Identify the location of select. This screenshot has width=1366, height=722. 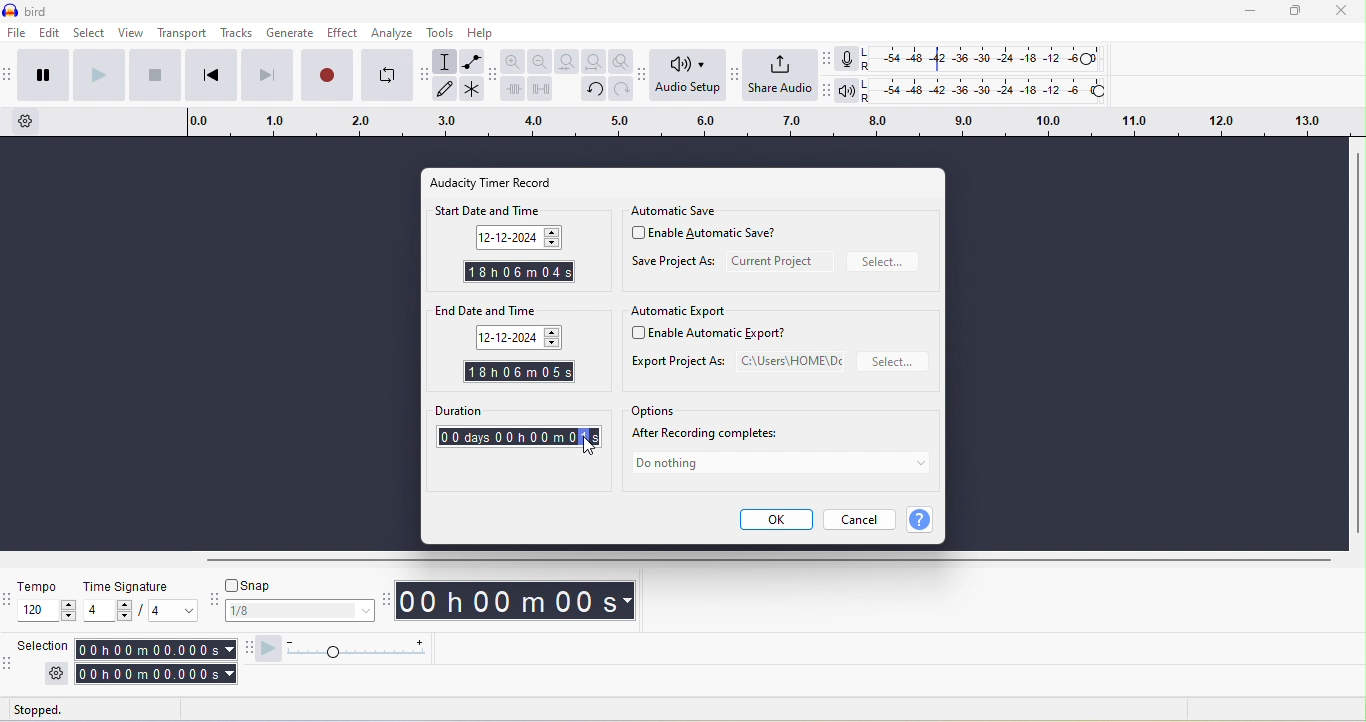
(90, 34).